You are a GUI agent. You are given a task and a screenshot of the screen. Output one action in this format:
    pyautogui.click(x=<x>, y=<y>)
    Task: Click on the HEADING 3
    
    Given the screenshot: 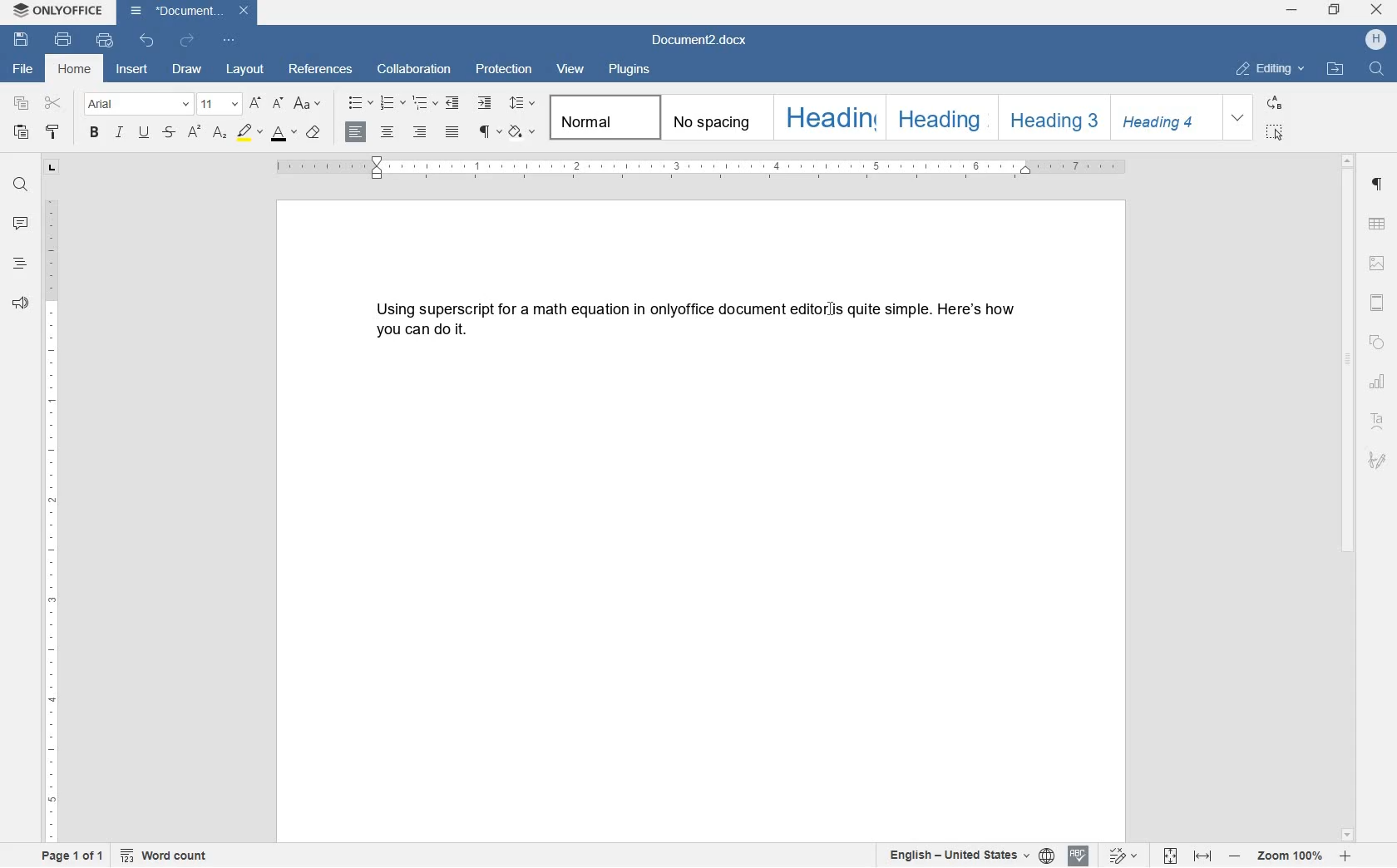 What is the action you would take?
    pyautogui.click(x=1052, y=116)
    